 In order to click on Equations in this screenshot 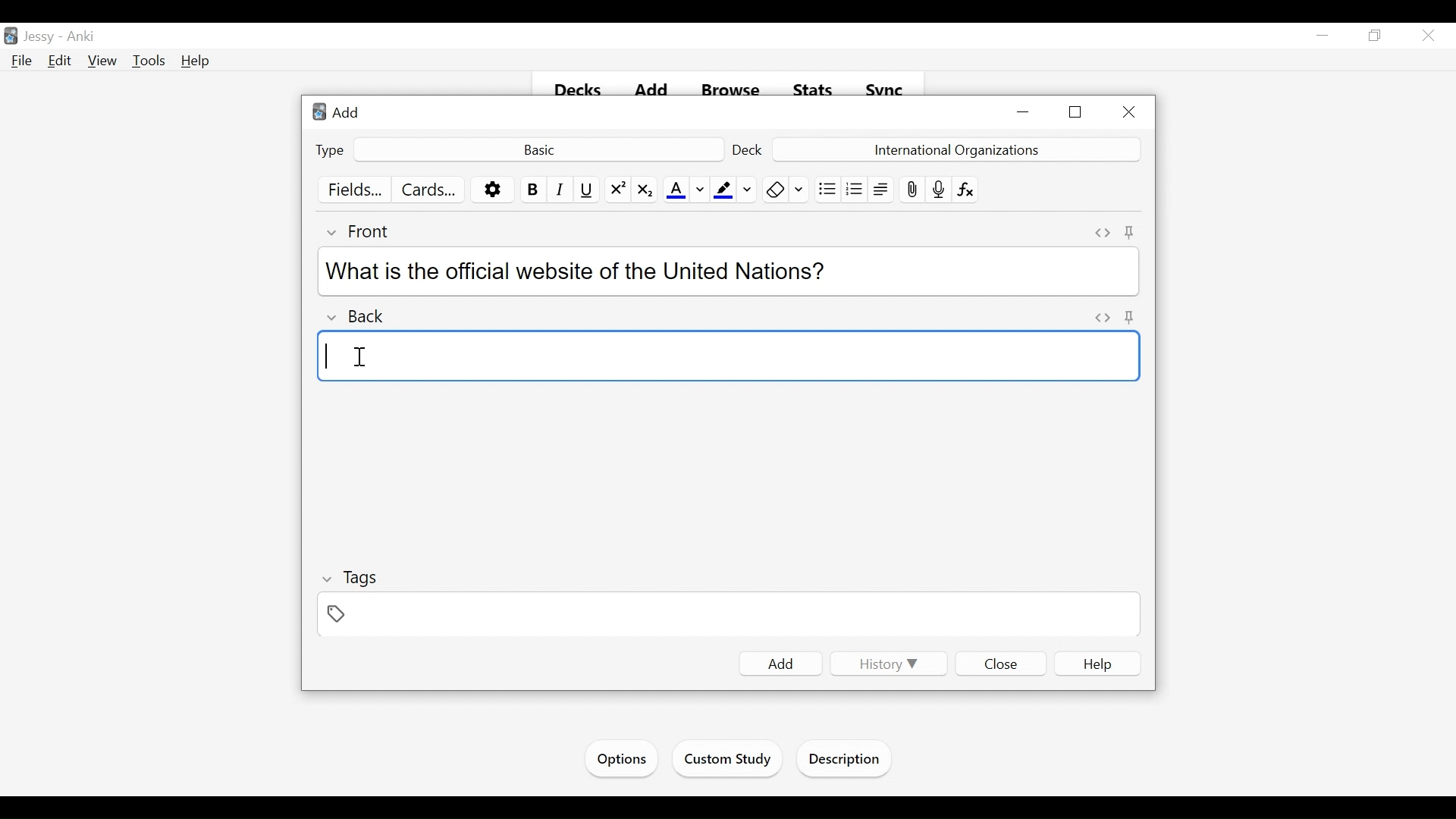, I will do `click(964, 190)`.